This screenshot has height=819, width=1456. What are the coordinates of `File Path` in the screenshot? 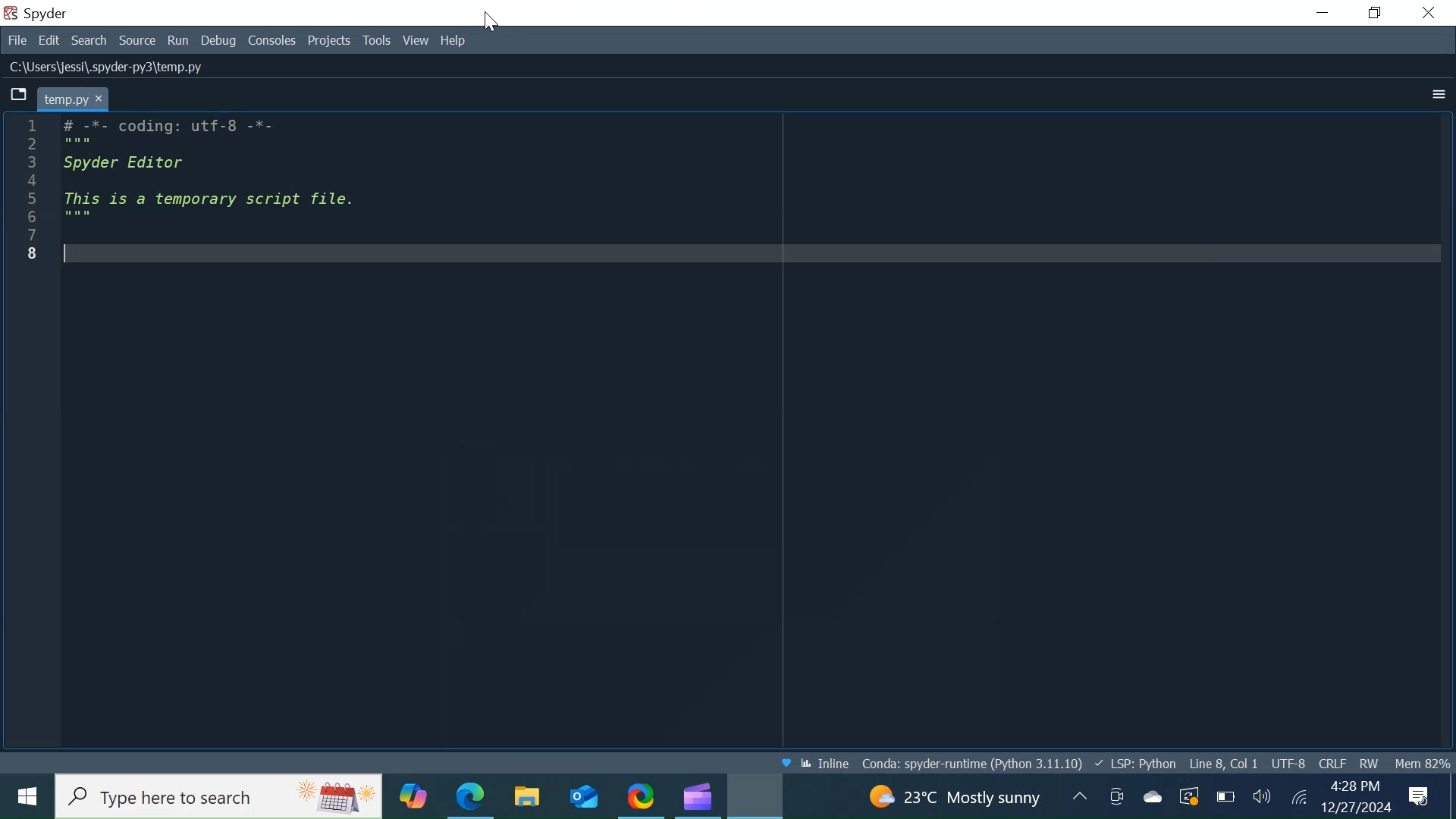 It's located at (105, 65).